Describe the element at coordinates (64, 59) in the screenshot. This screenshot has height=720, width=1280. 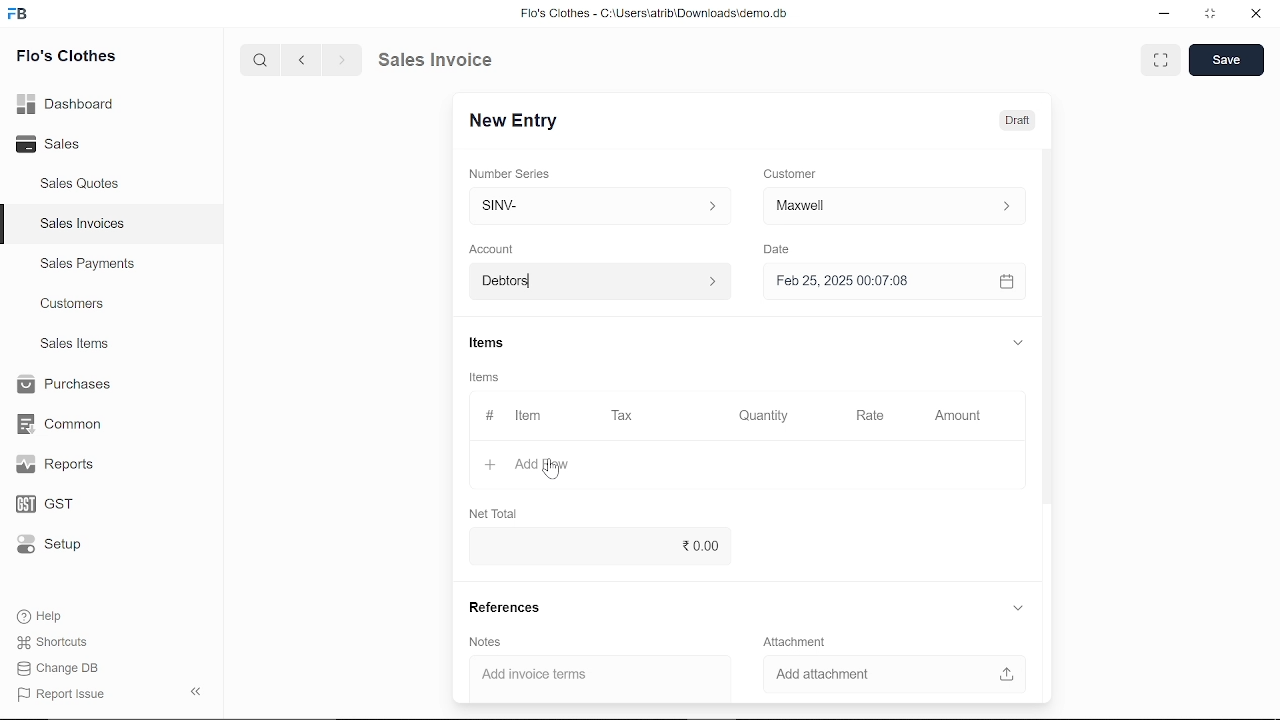
I see `Flo's Clothes` at that location.